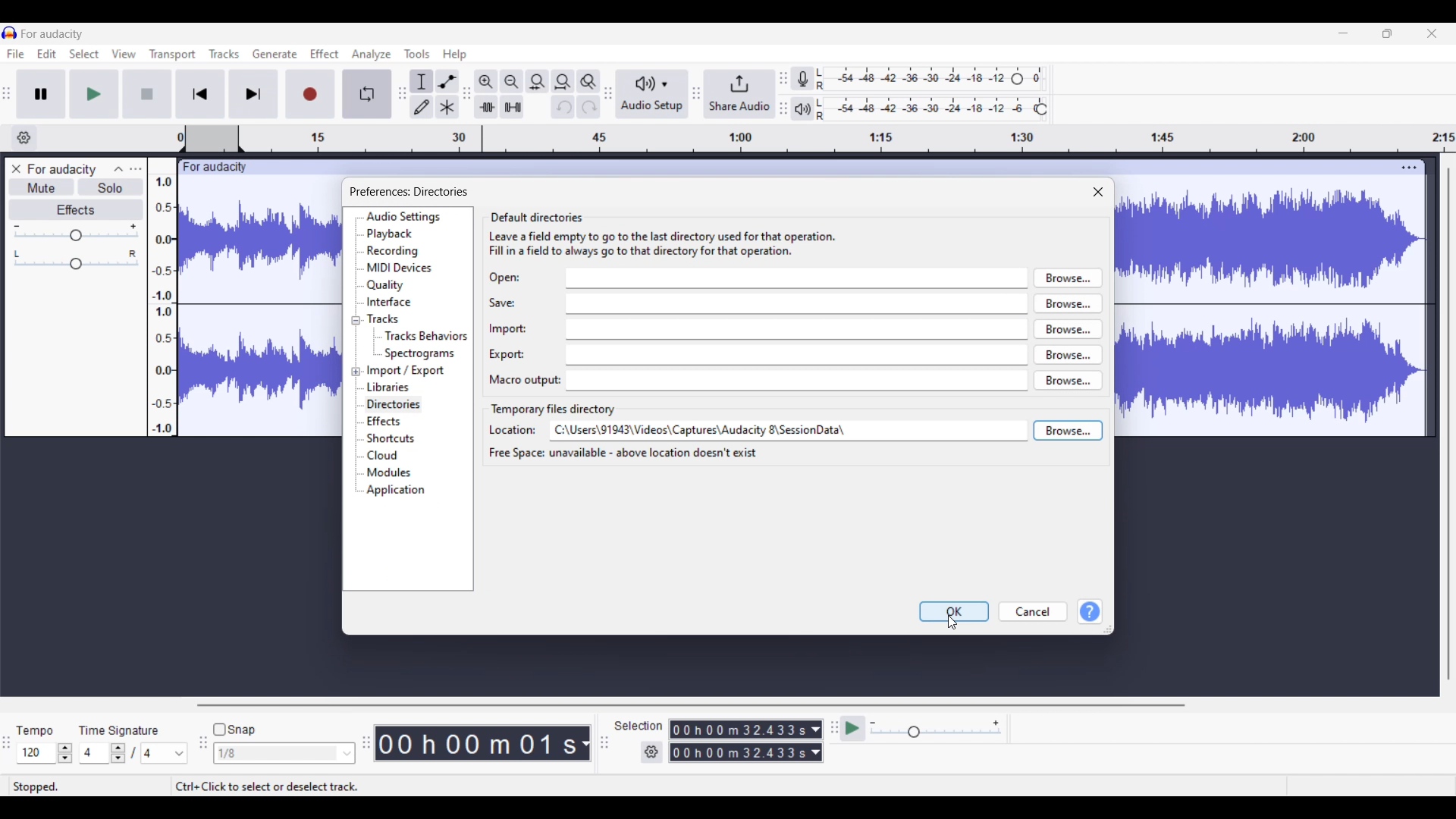  I want to click on Zoom toggle, so click(588, 81).